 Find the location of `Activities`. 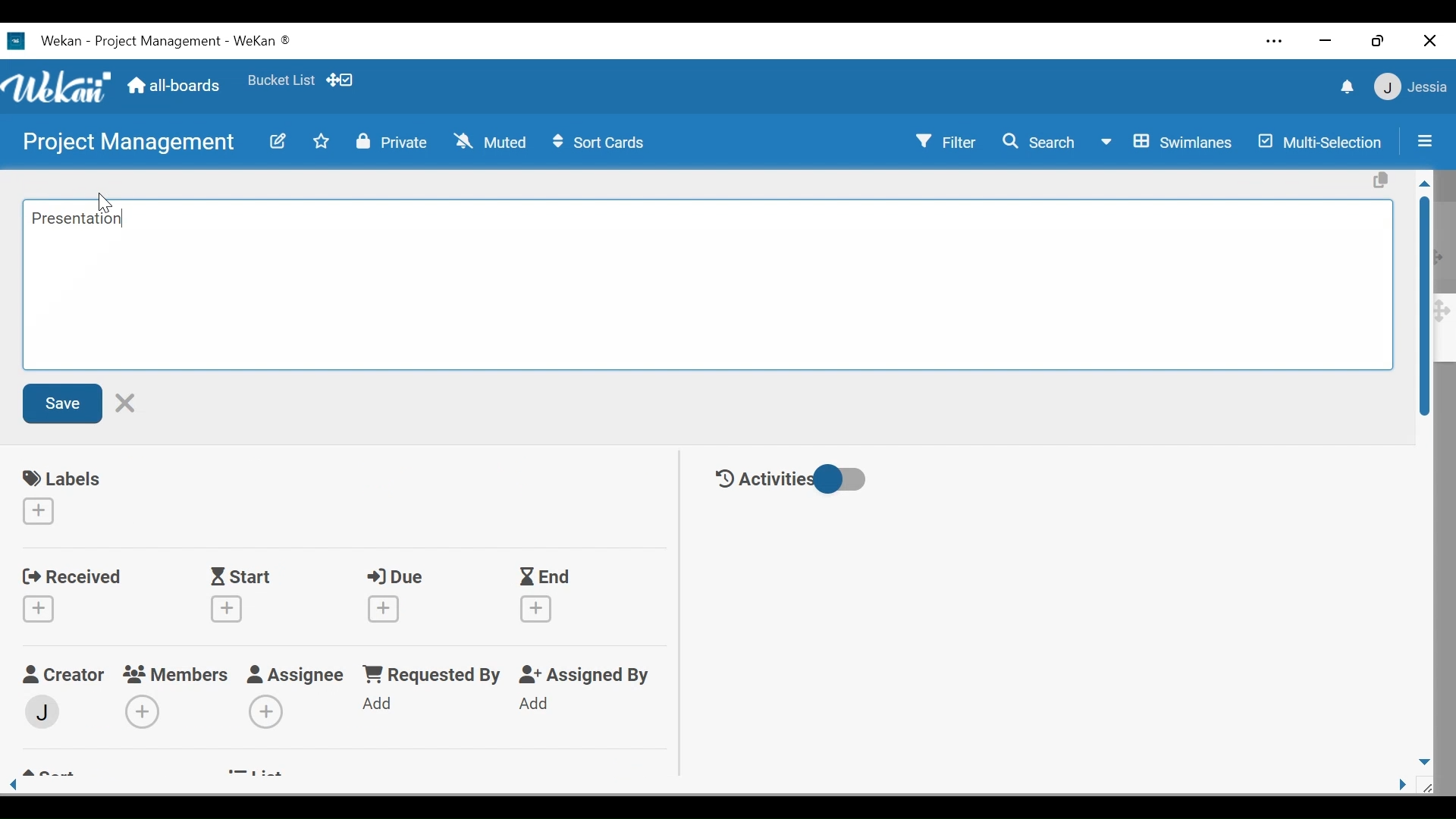

Activities is located at coordinates (764, 479).